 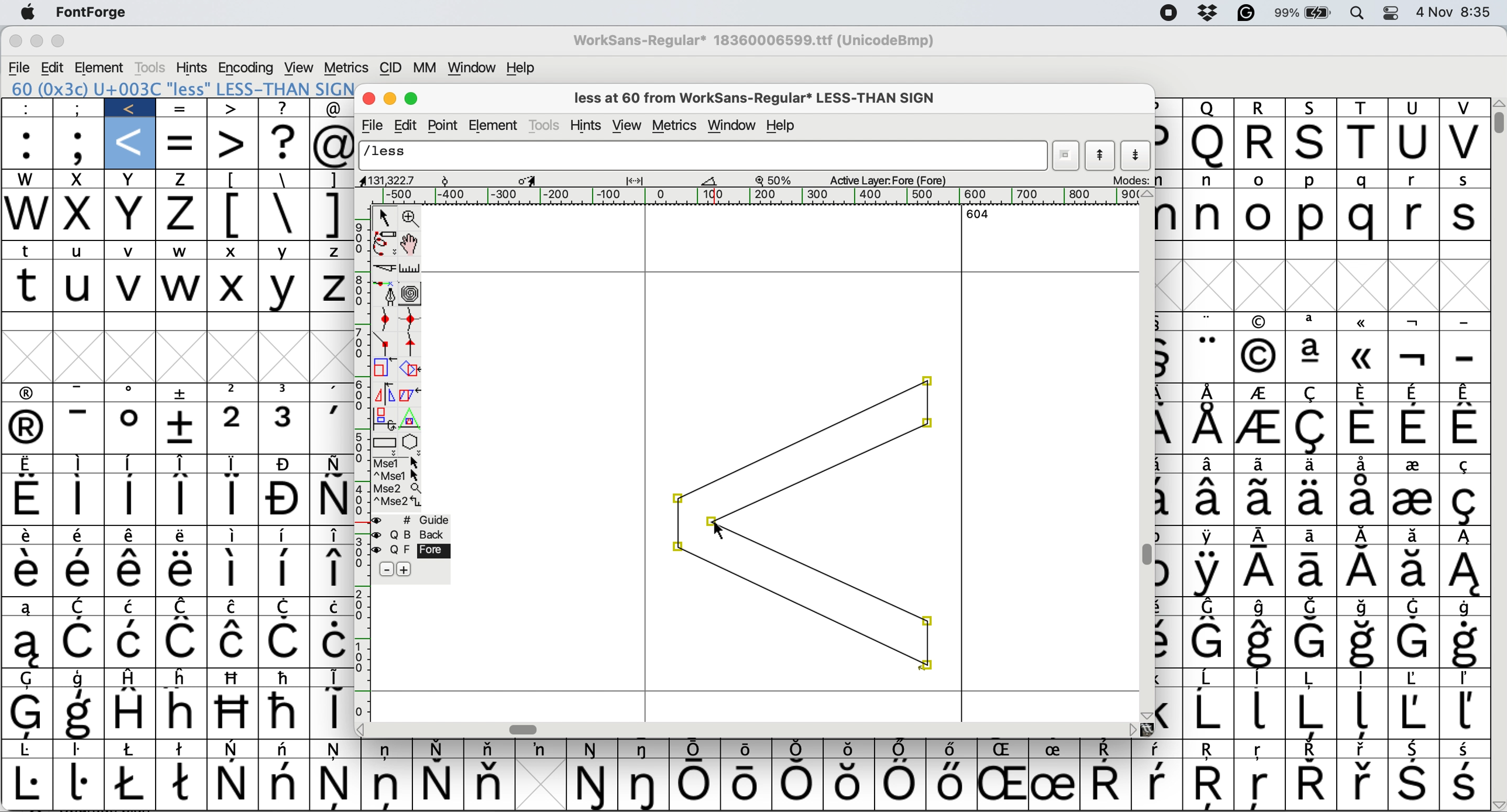 What do you see at coordinates (497, 124) in the screenshot?
I see `element` at bounding box center [497, 124].